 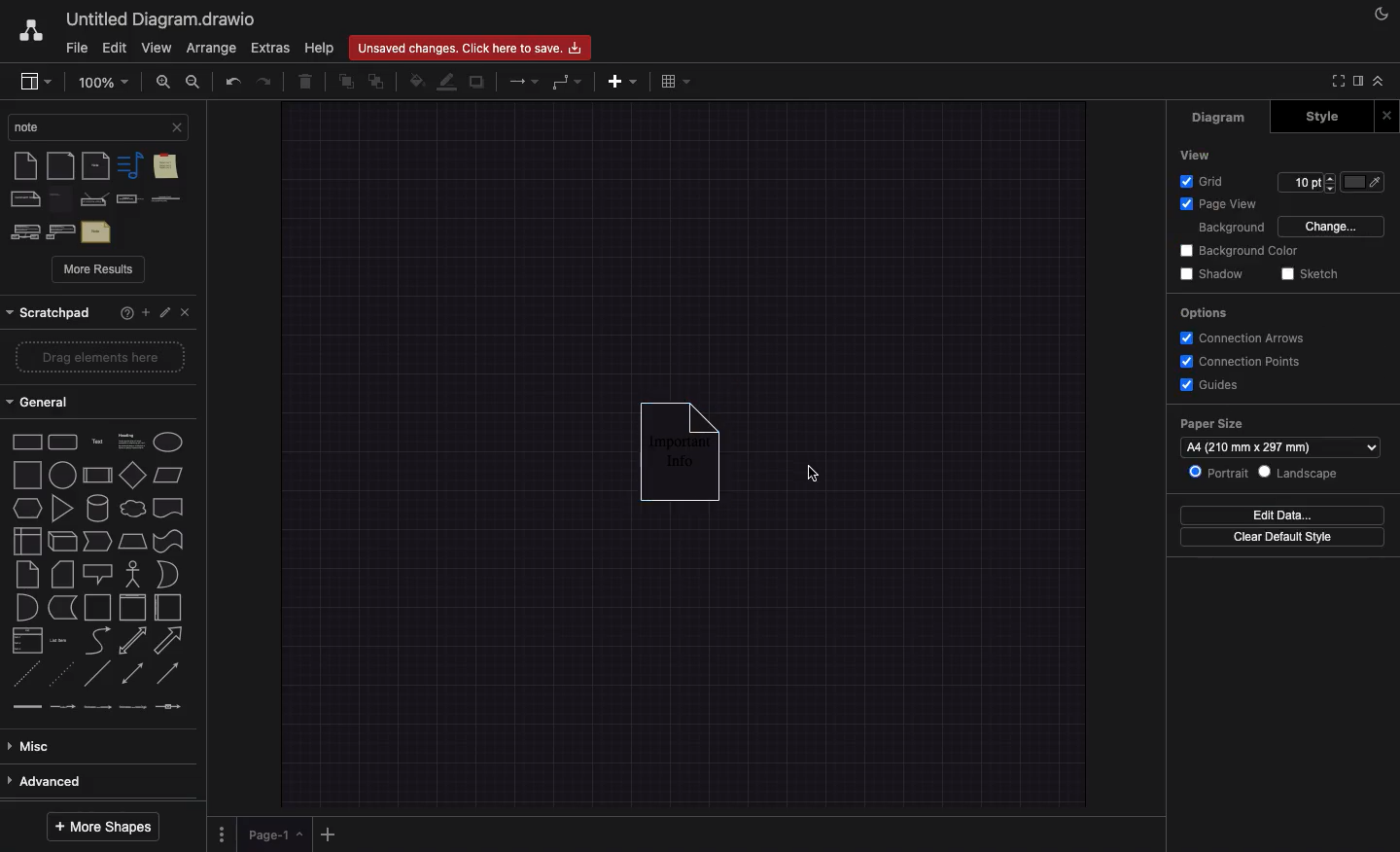 I want to click on Extras, so click(x=270, y=48).